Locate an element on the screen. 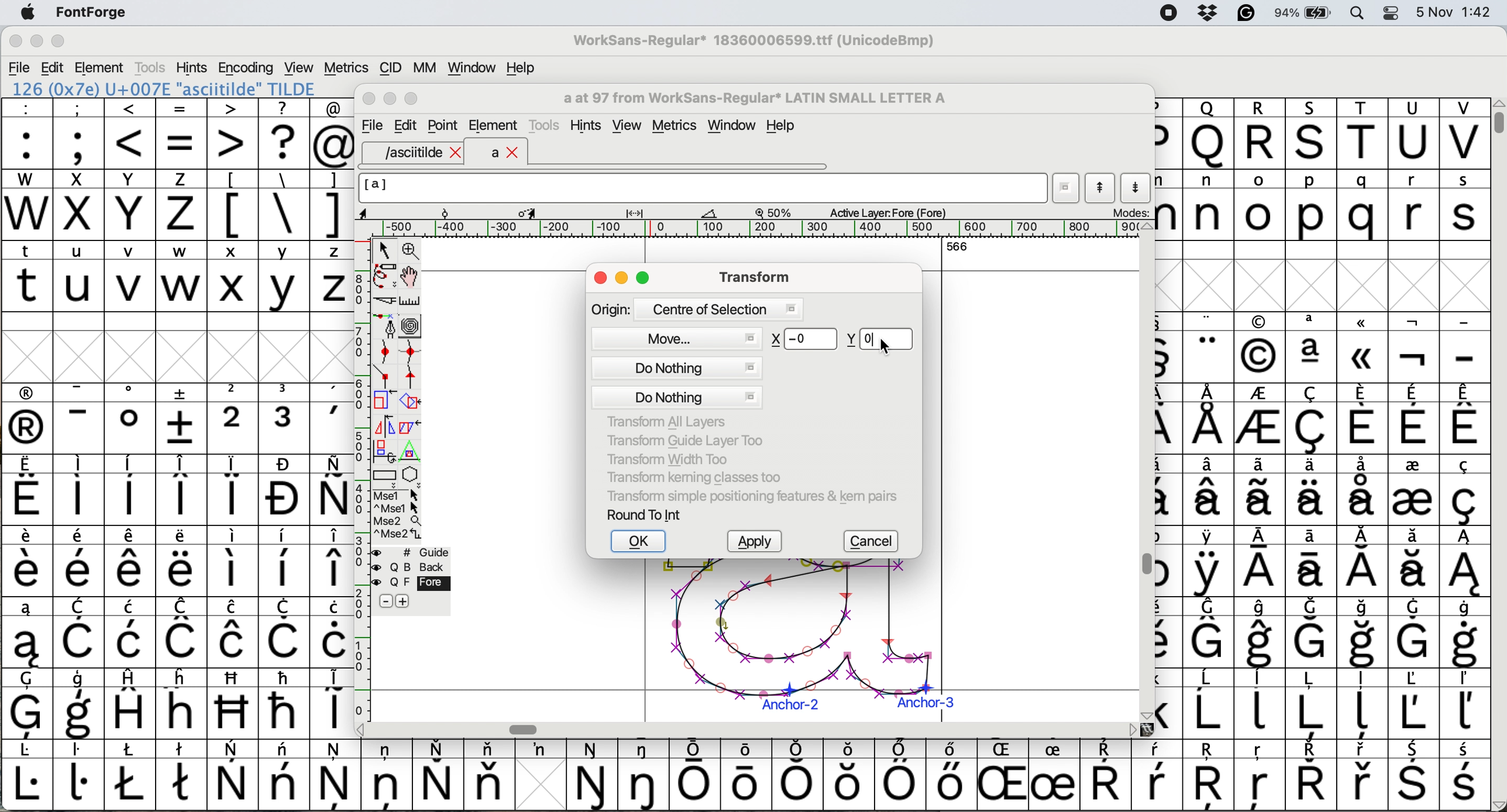 The height and width of the screenshot is (812, 1507). o is located at coordinates (1261, 207).